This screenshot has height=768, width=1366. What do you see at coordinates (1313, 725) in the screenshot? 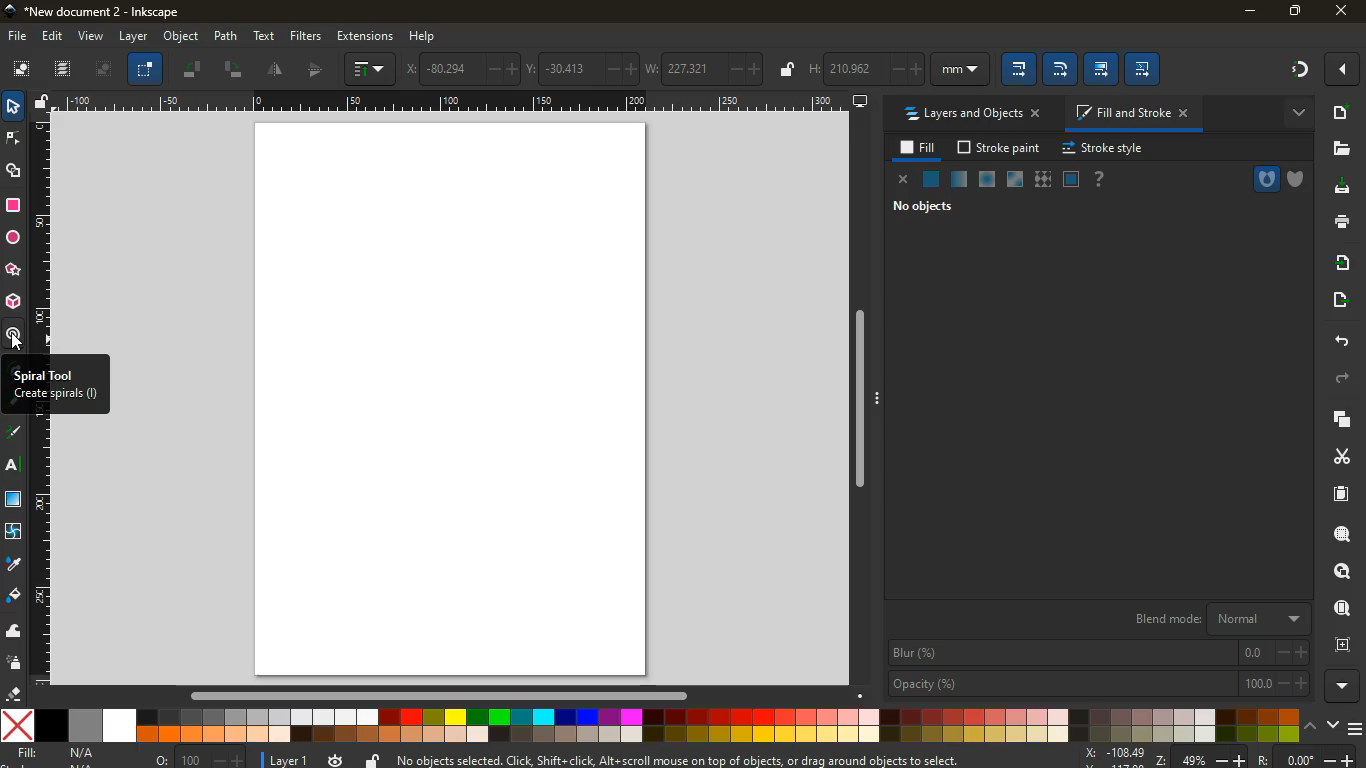
I see `up` at bounding box center [1313, 725].